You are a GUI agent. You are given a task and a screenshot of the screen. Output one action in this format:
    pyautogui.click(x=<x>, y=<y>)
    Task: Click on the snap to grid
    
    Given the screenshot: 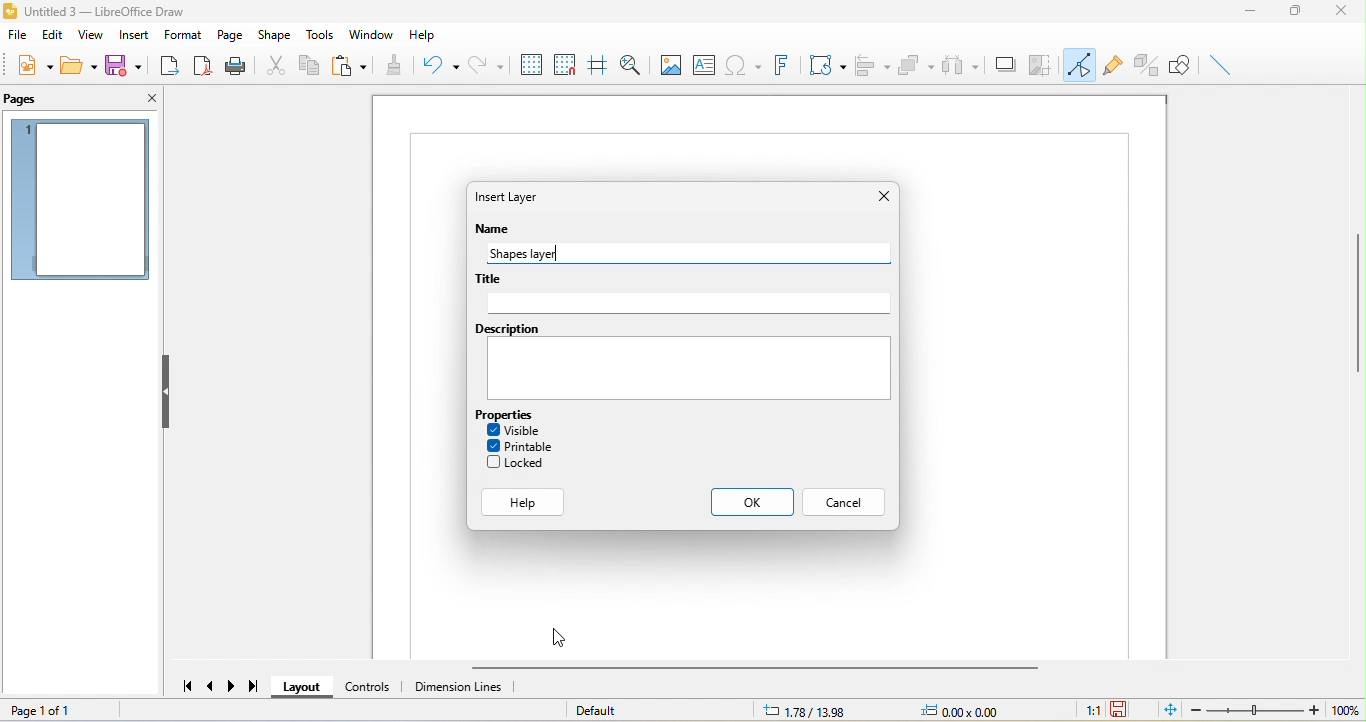 What is the action you would take?
    pyautogui.click(x=565, y=64)
    